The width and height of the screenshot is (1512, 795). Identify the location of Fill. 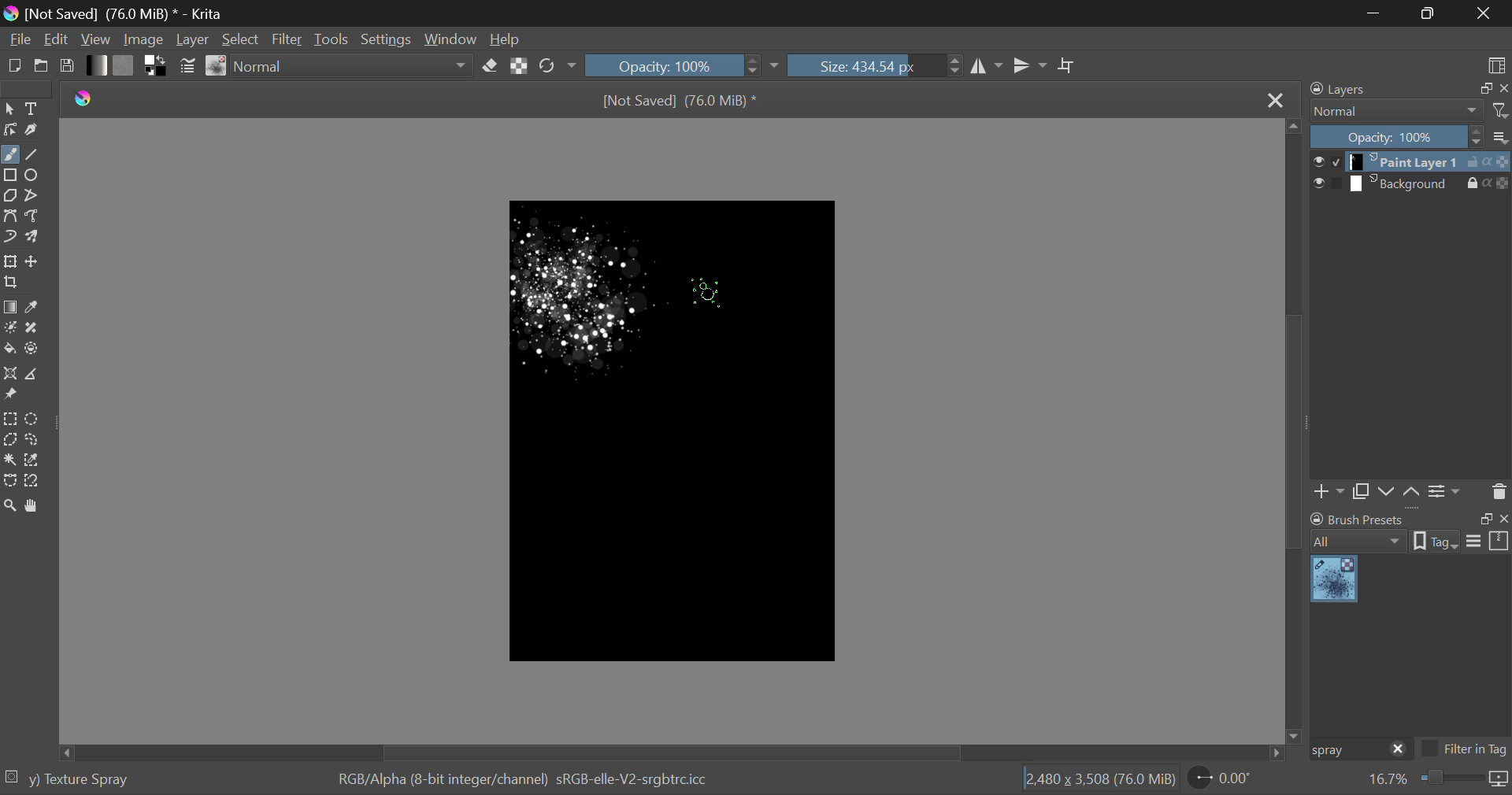
(9, 349).